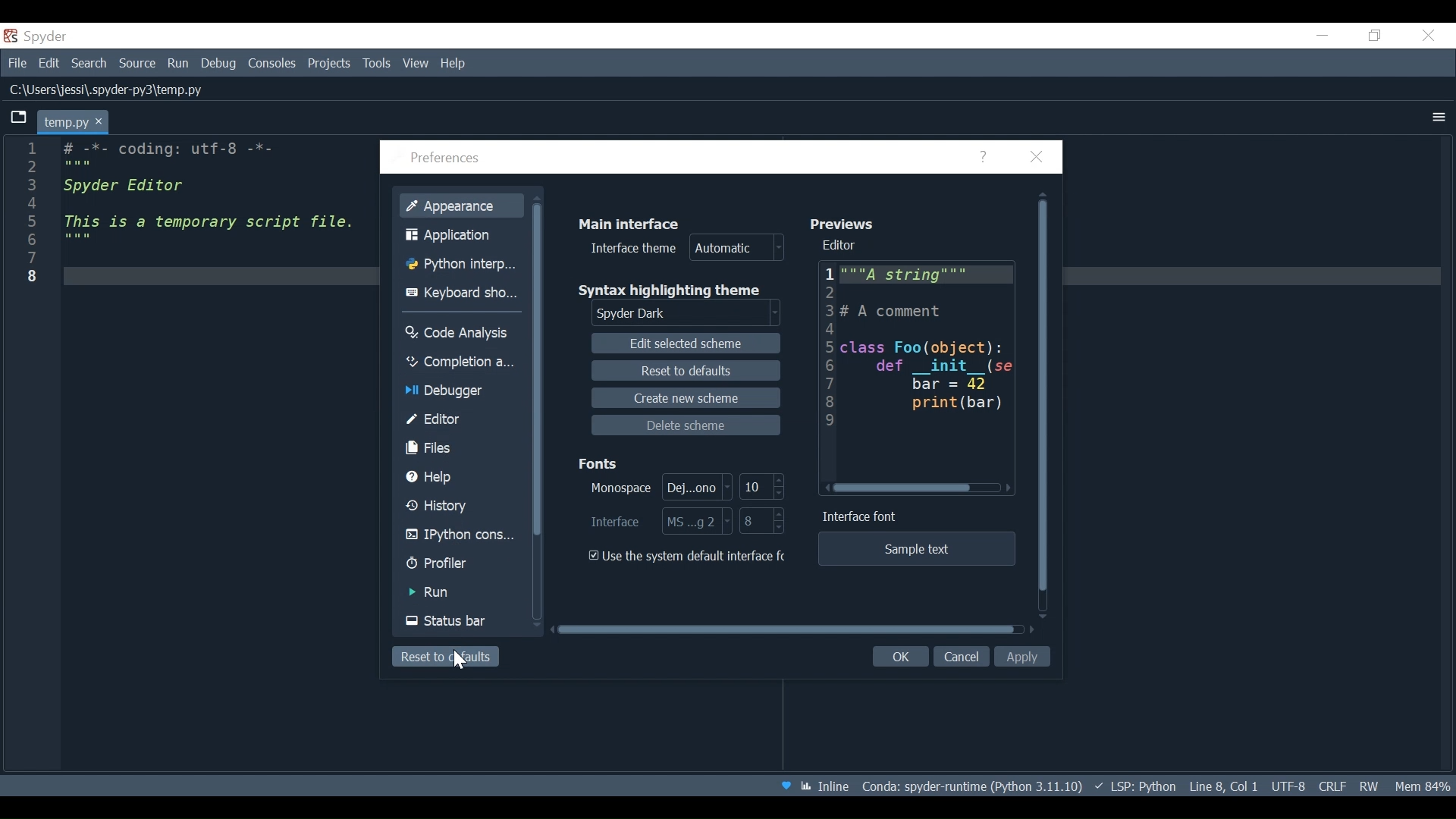 This screenshot has height=819, width=1456. Describe the element at coordinates (461, 507) in the screenshot. I see `History` at that location.